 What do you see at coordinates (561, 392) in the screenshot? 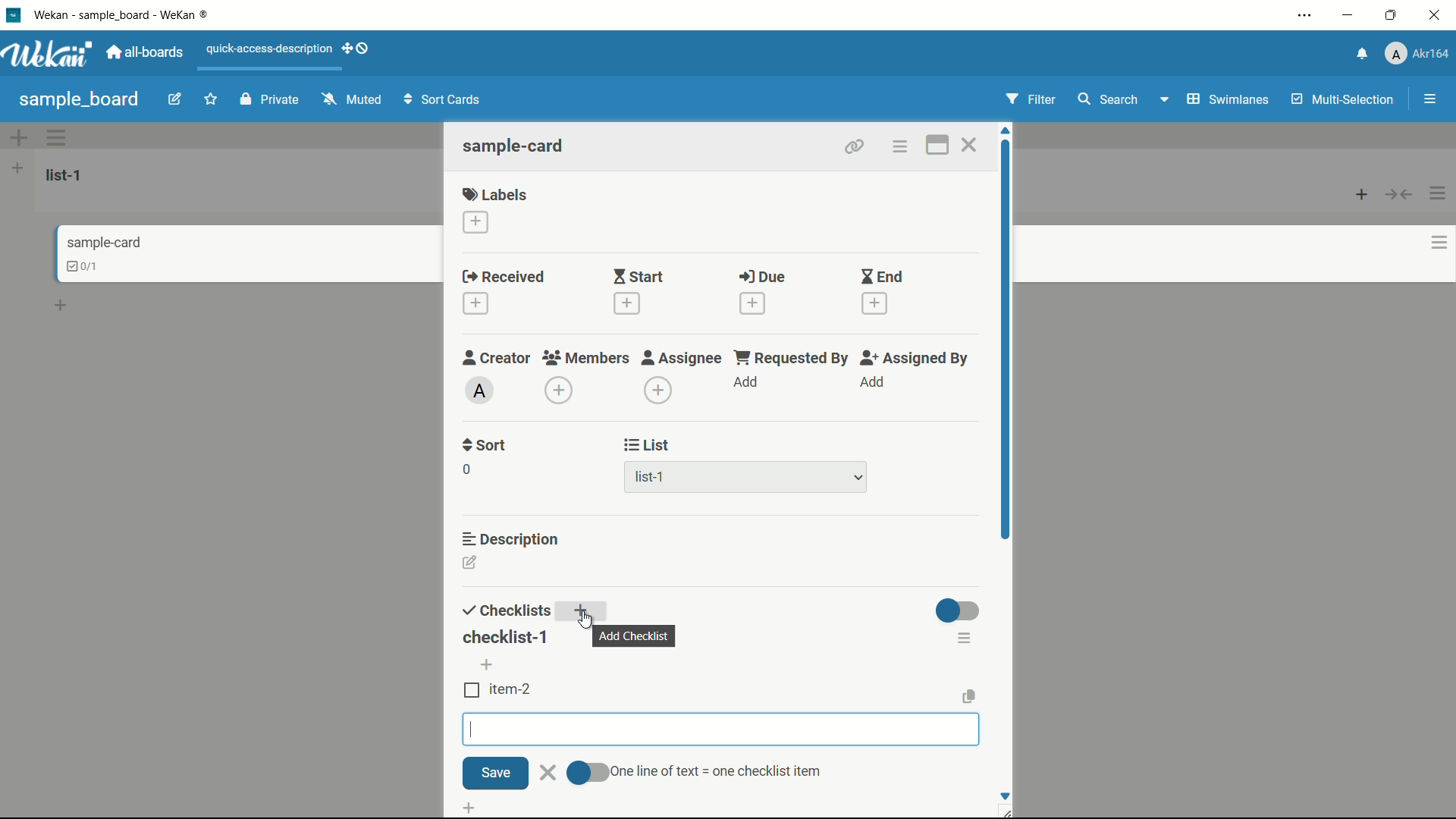
I see `add members` at bounding box center [561, 392].